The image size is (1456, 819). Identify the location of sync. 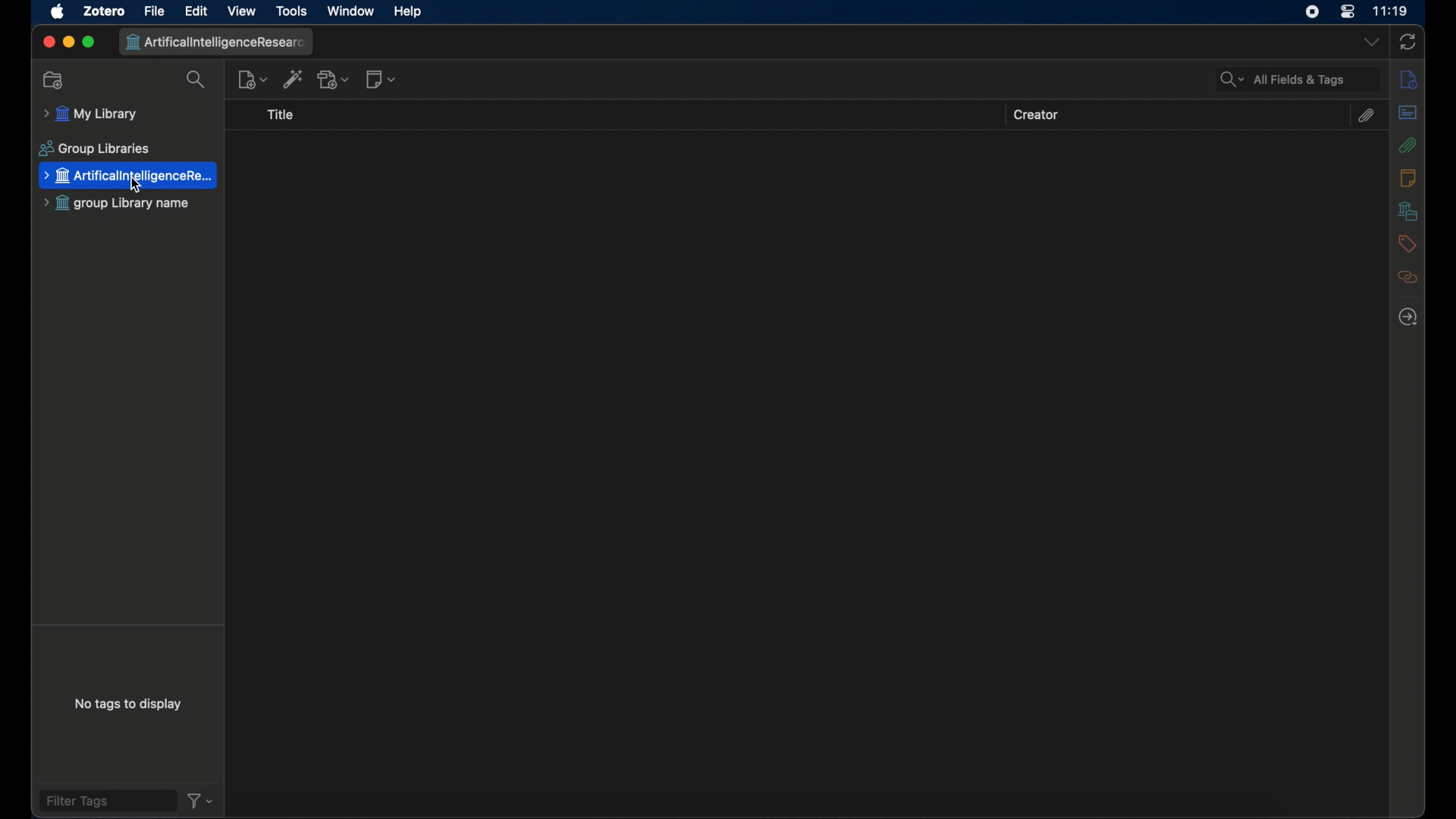
(1407, 41).